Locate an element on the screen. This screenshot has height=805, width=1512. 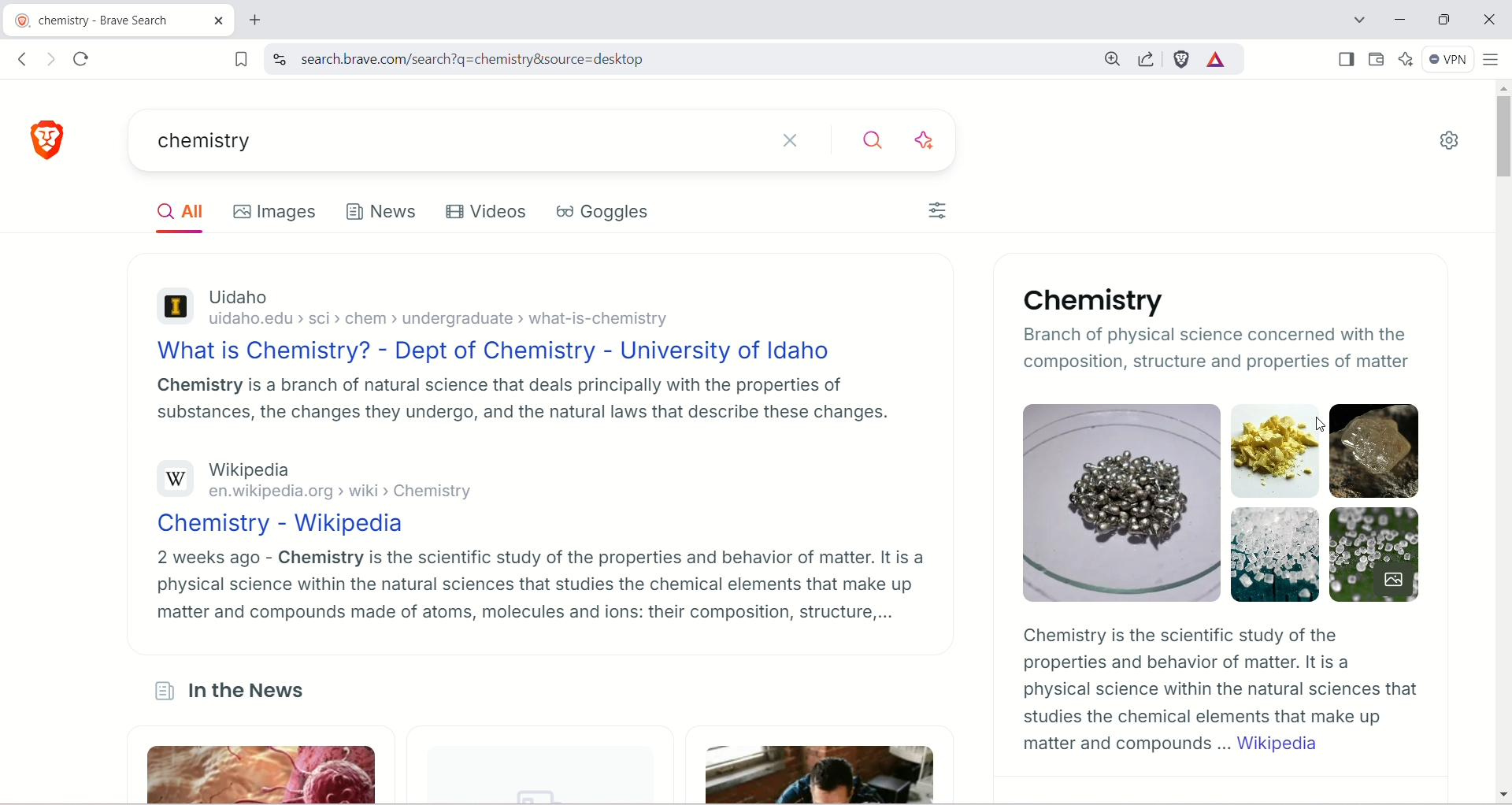
SEARCH TABS is located at coordinates (1355, 18).